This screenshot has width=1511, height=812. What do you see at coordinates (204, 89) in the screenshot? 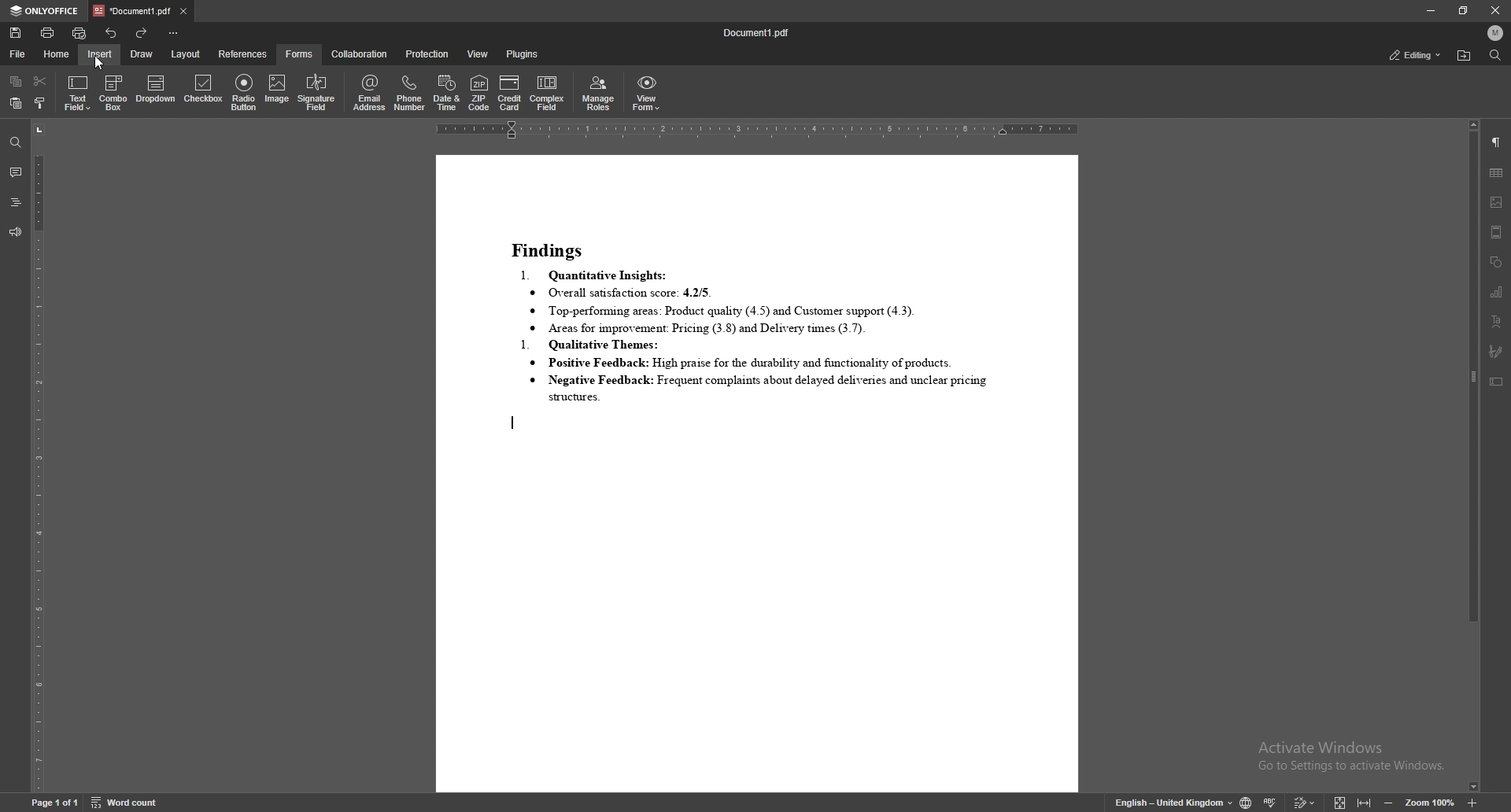
I see `checkbox` at bounding box center [204, 89].